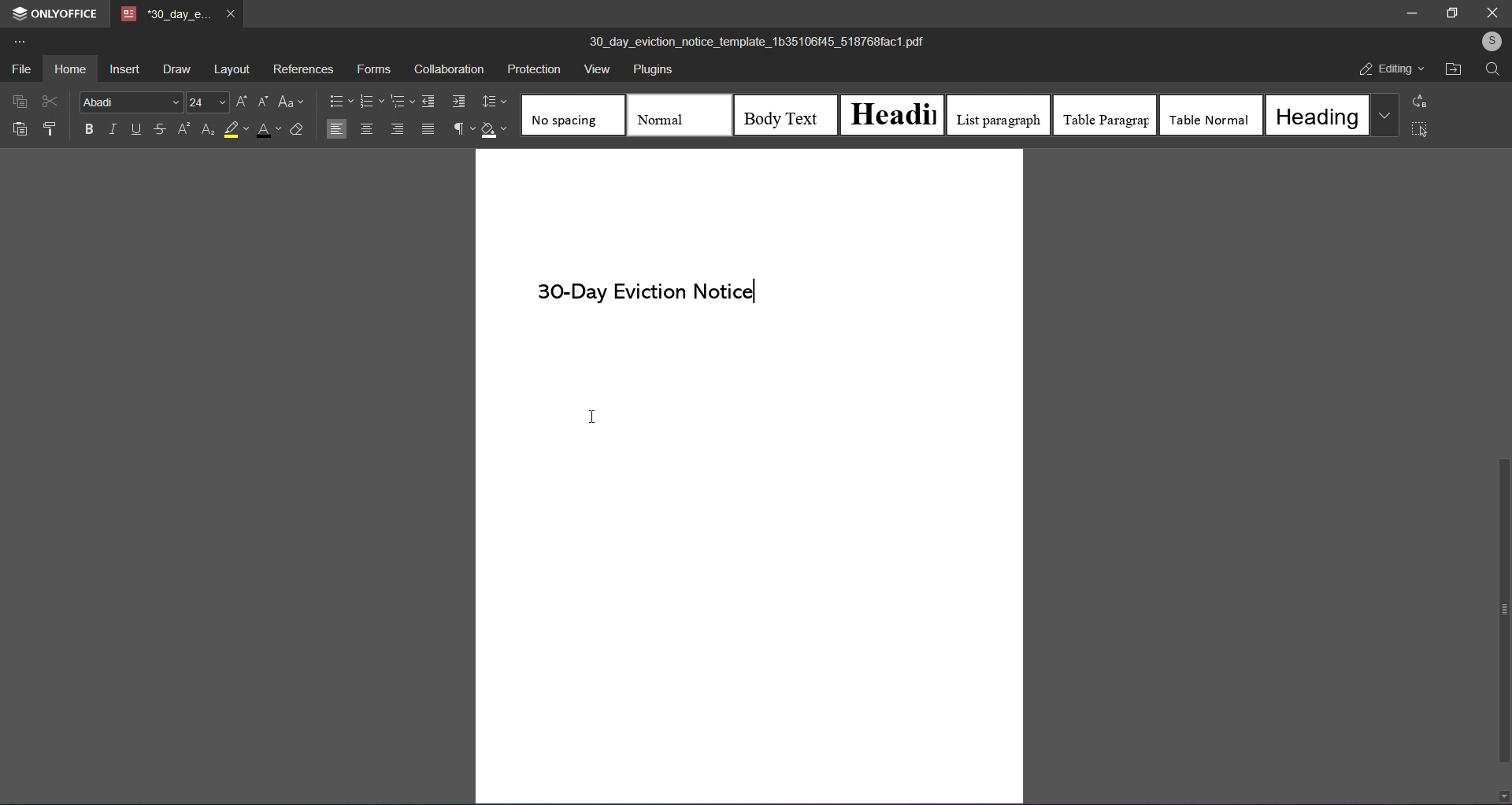 The width and height of the screenshot is (1512, 805). Describe the element at coordinates (293, 102) in the screenshot. I see `change case` at that location.